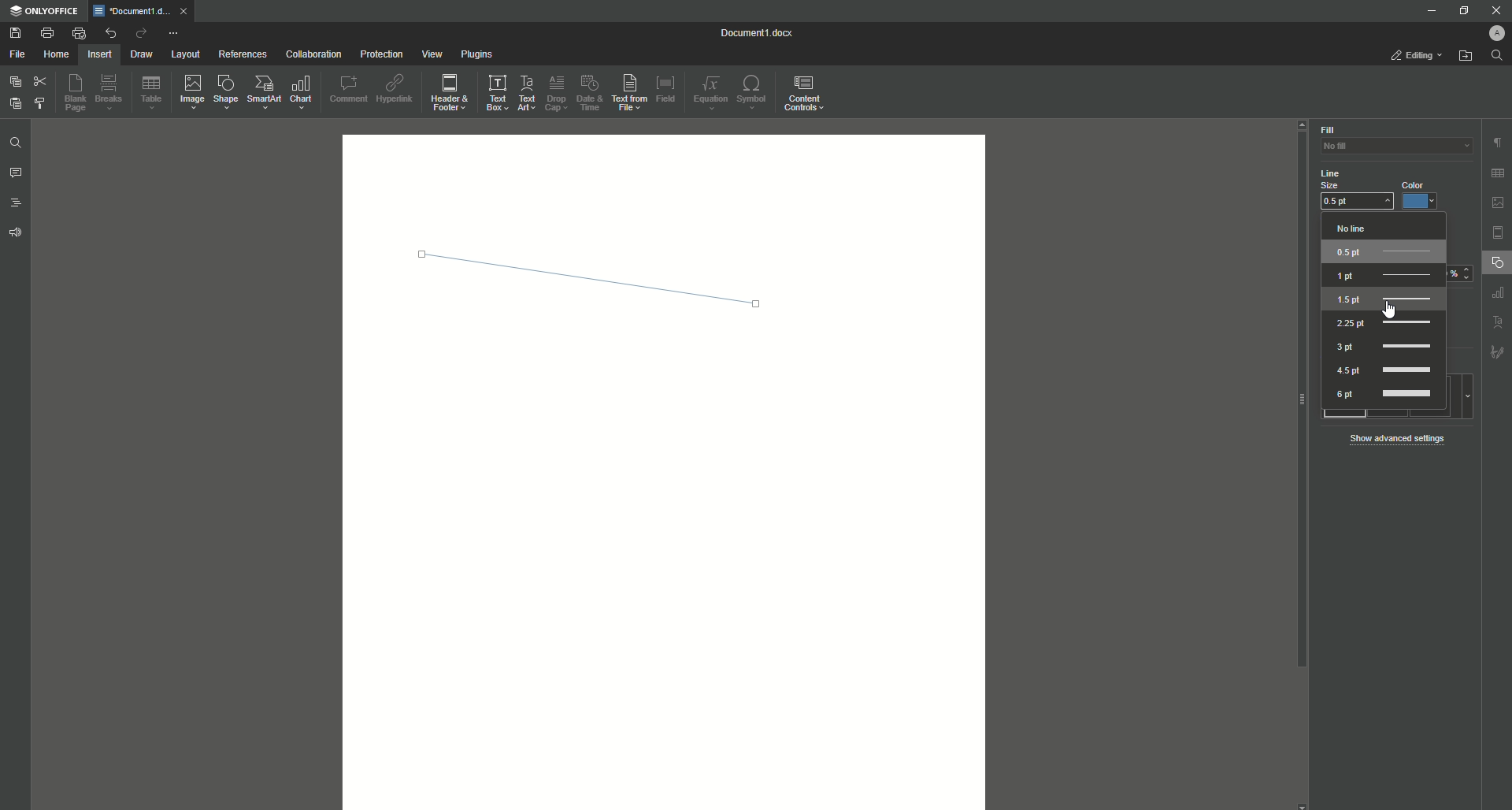 The height and width of the screenshot is (810, 1512). What do you see at coordinates (141, 55) in the screenshot?
I see `Draw` at bounding box center [141, 55].